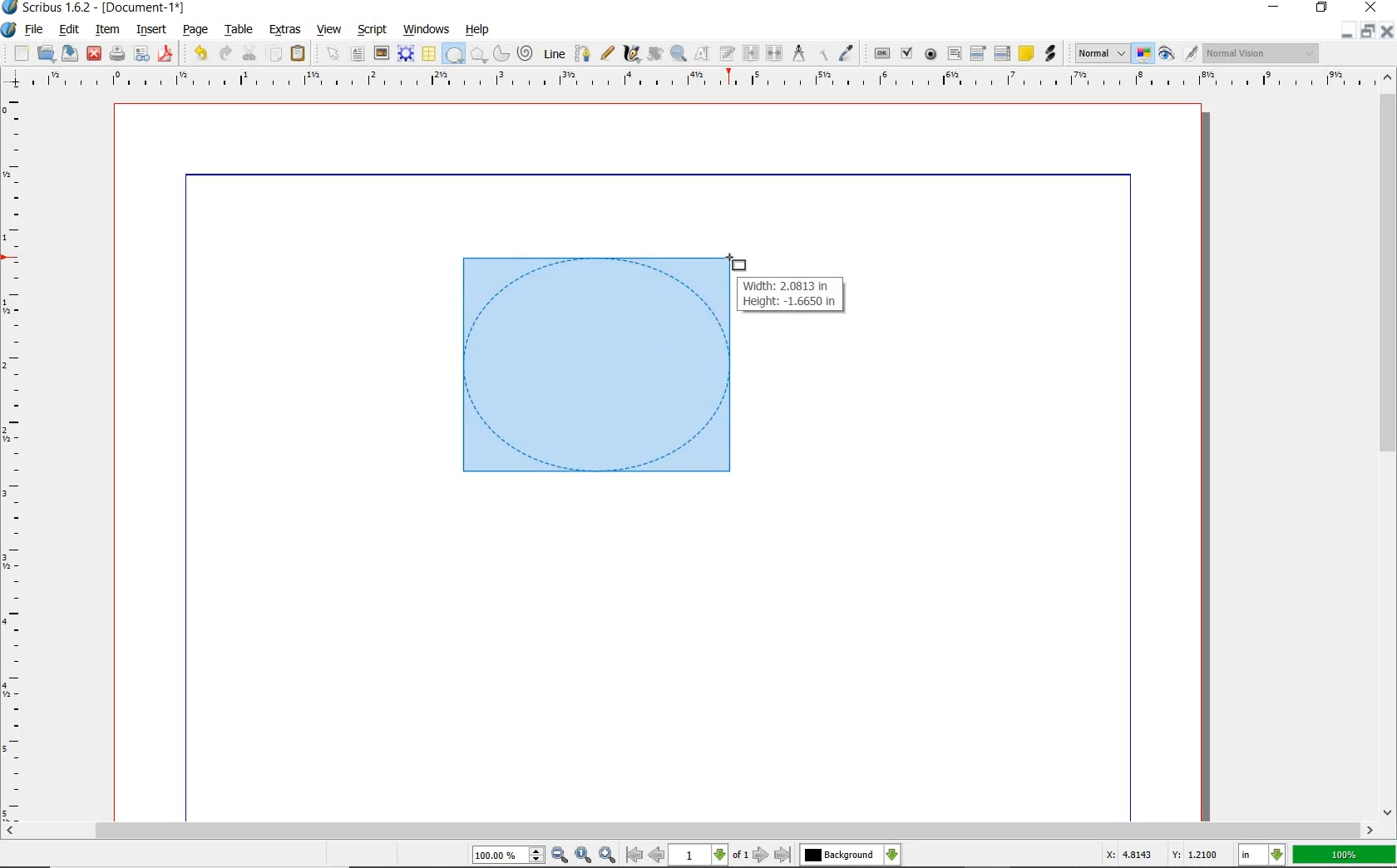  What do you see at coordinates (21, 53) in the screenshot?
I see `NEW` at bounding box center [21, 53].